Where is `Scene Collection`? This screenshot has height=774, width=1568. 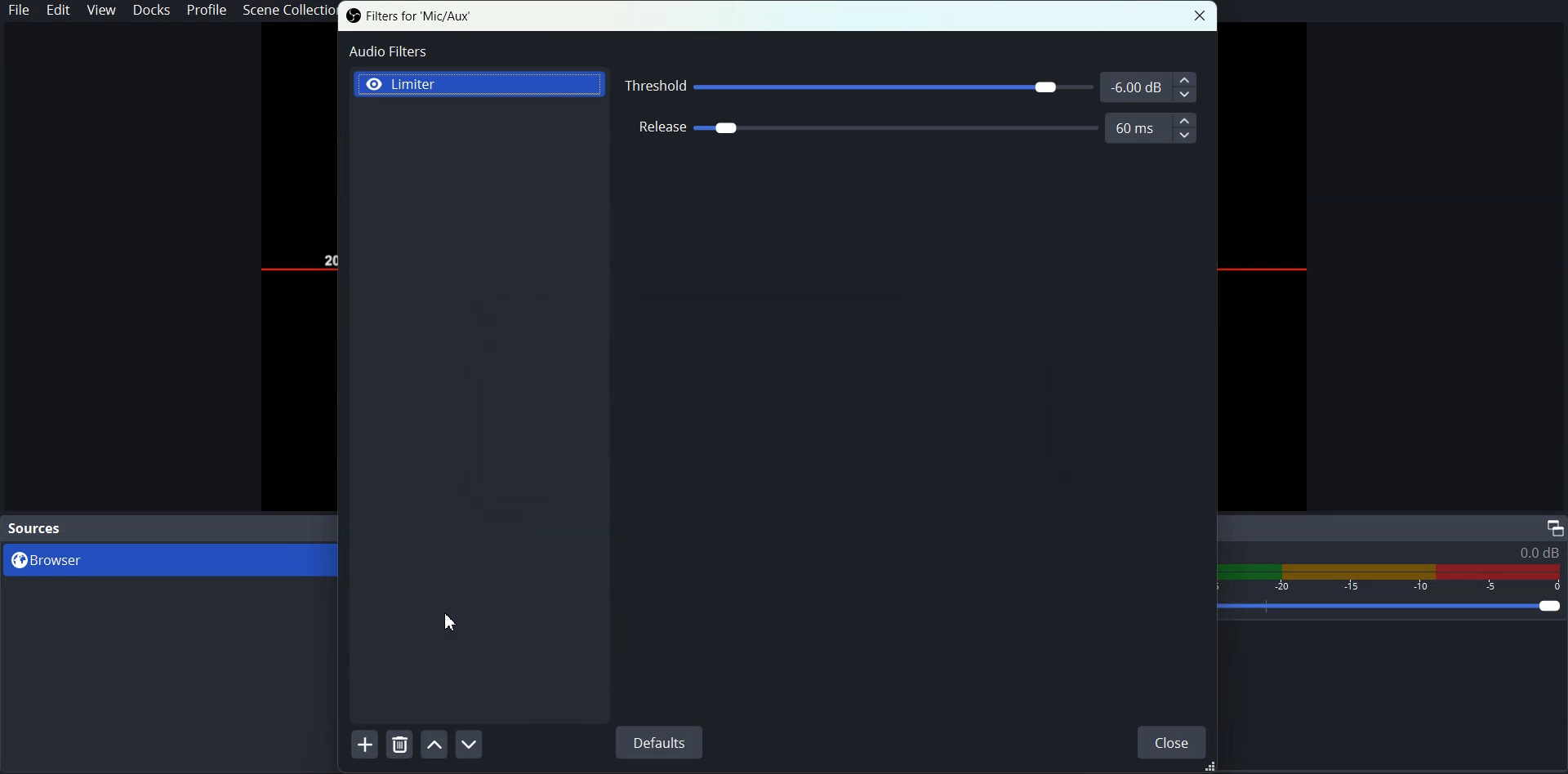 Scene Collection is located at coordinates (287, 11).